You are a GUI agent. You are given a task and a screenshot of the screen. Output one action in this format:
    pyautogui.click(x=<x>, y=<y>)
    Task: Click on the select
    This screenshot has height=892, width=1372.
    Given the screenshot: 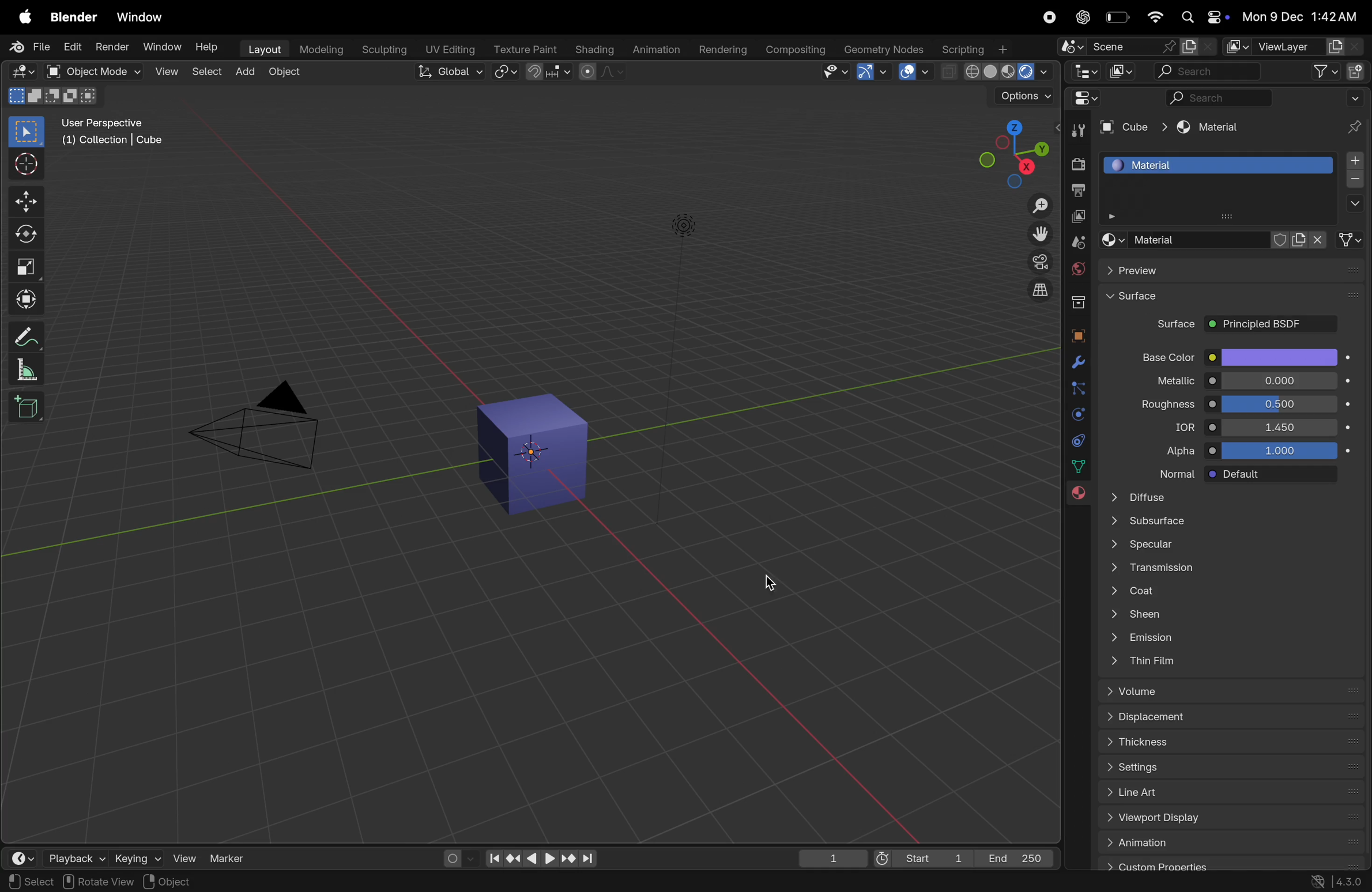 What is the action you would take?
    pyautogui.click(x=207, y=74)
    